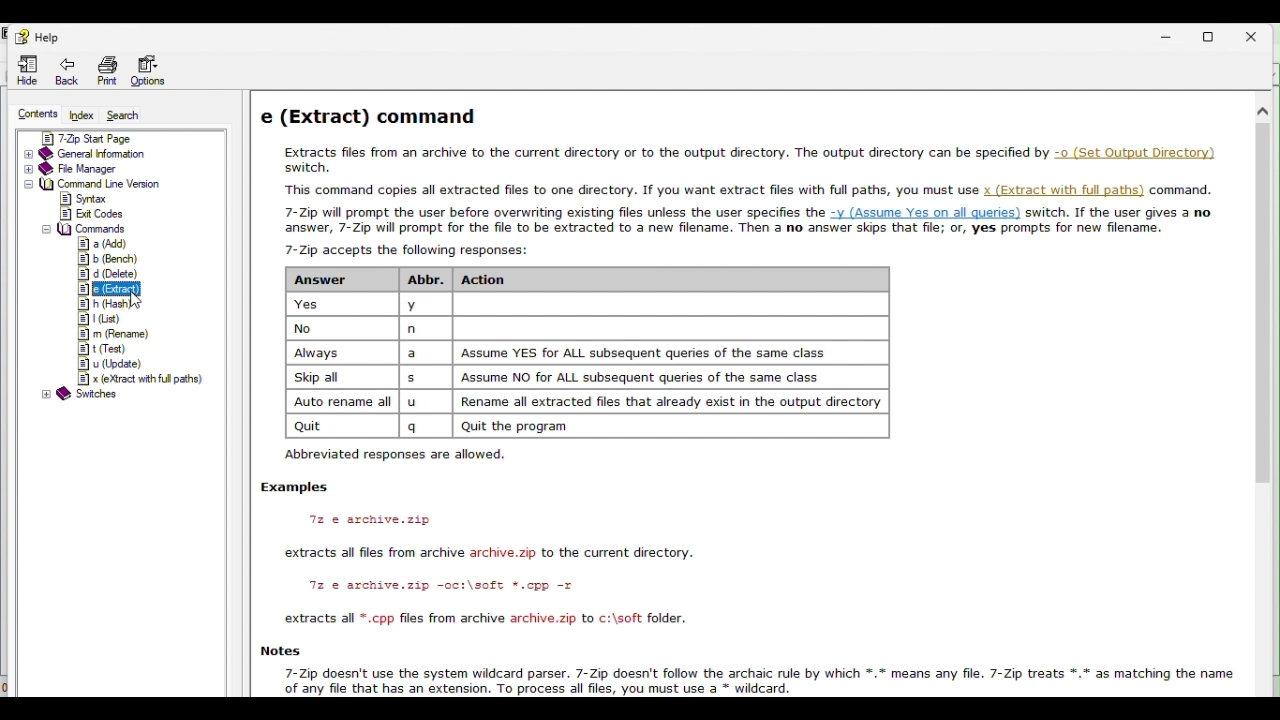  I want to click on Contents, so click(36, 111).